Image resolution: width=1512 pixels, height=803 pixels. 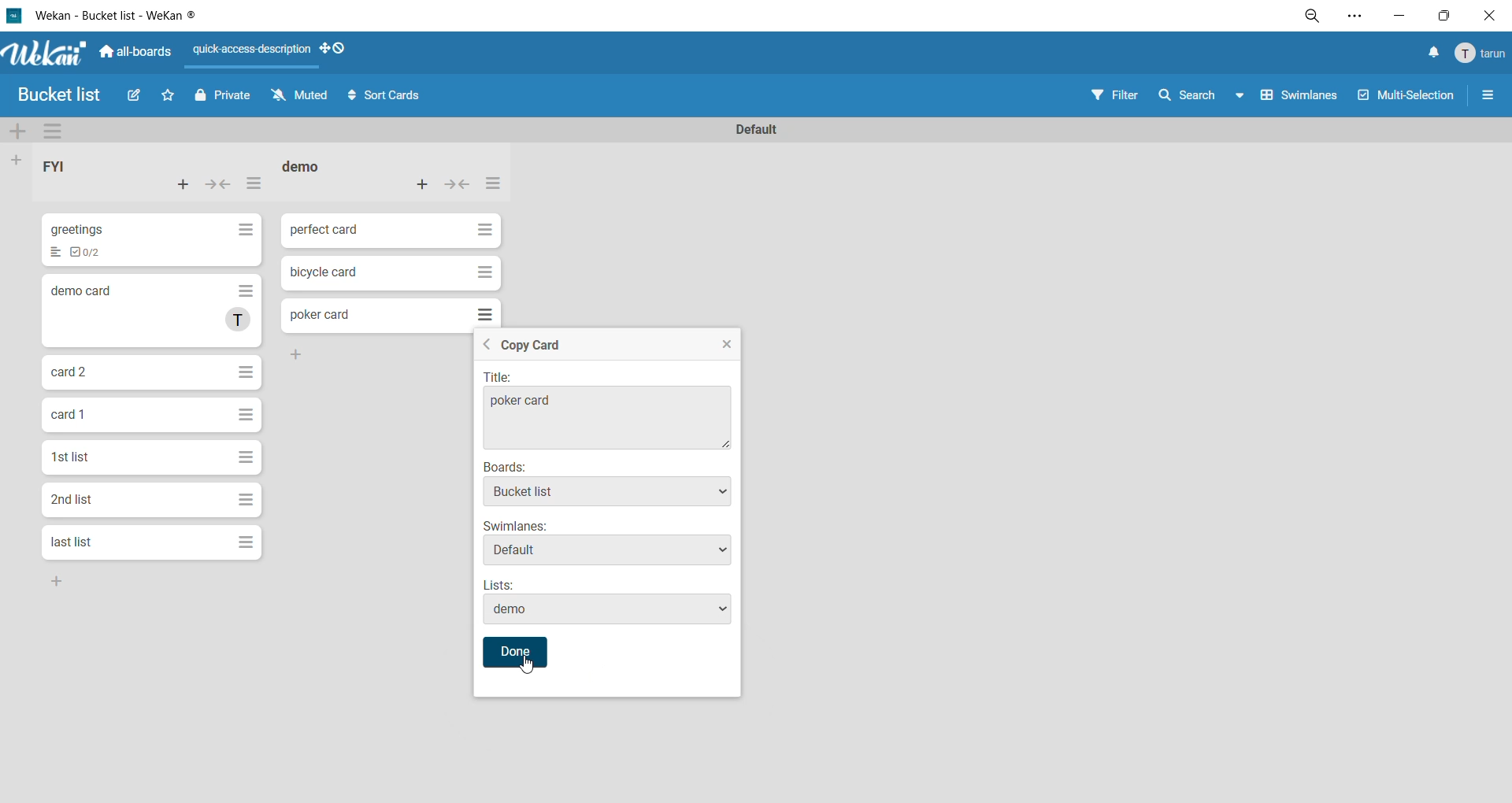 What do you see at coordinates (137, 98) in the screenshot?
I see `edit` at bounding box center [137, 98].